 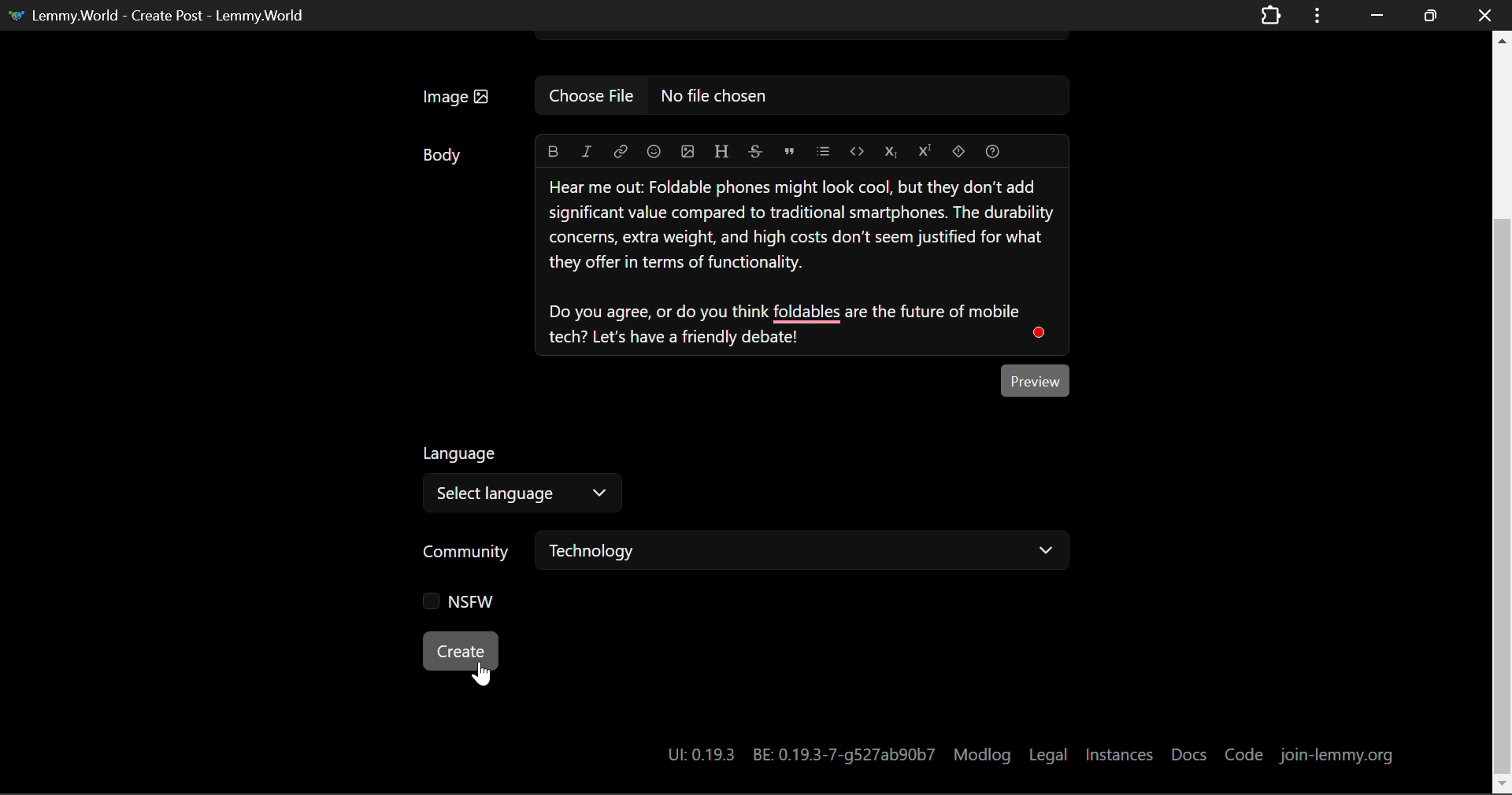 What do you see at coordinates (958, 152) in the screenshot?
I see `spoiler` at bounding box center [958, 152].